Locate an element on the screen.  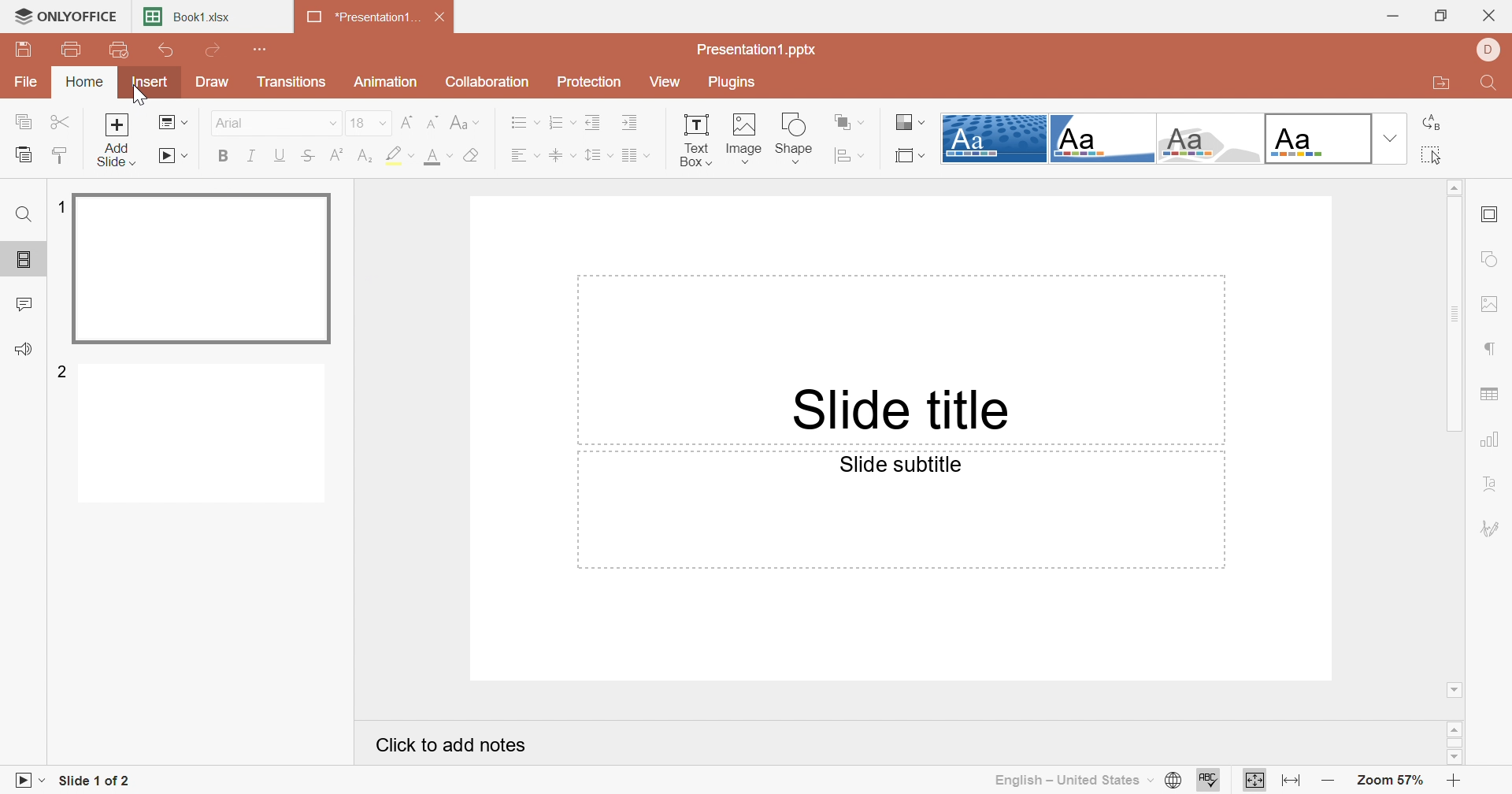
Slide 1 is located at coordinates (205, 270).